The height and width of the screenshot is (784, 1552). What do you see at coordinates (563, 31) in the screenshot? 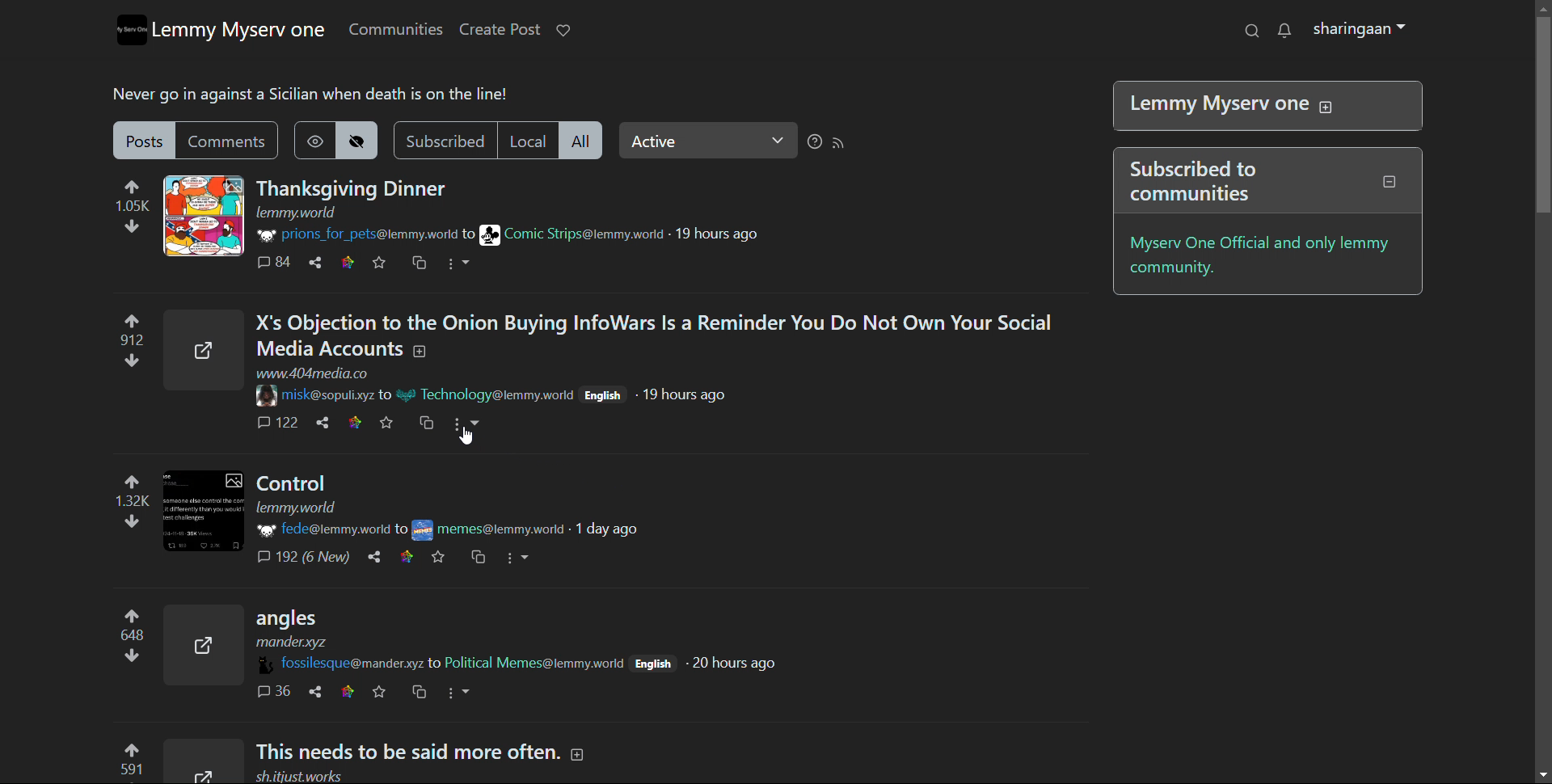
I see `donate to lemmy` at bounding box center [563, 31].